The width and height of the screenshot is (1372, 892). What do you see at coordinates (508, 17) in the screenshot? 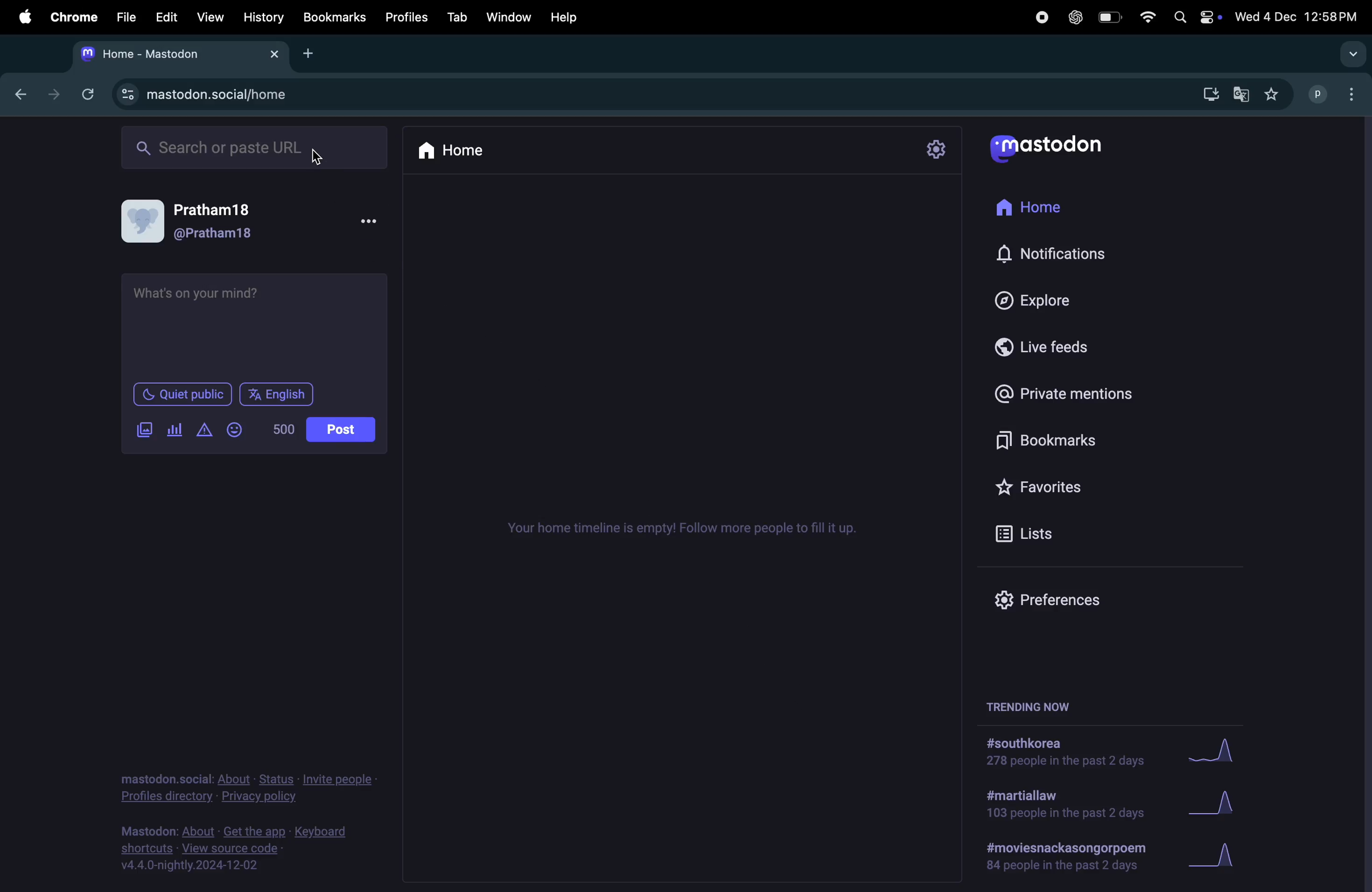
I see `Window` at bounding box center [508, 17].